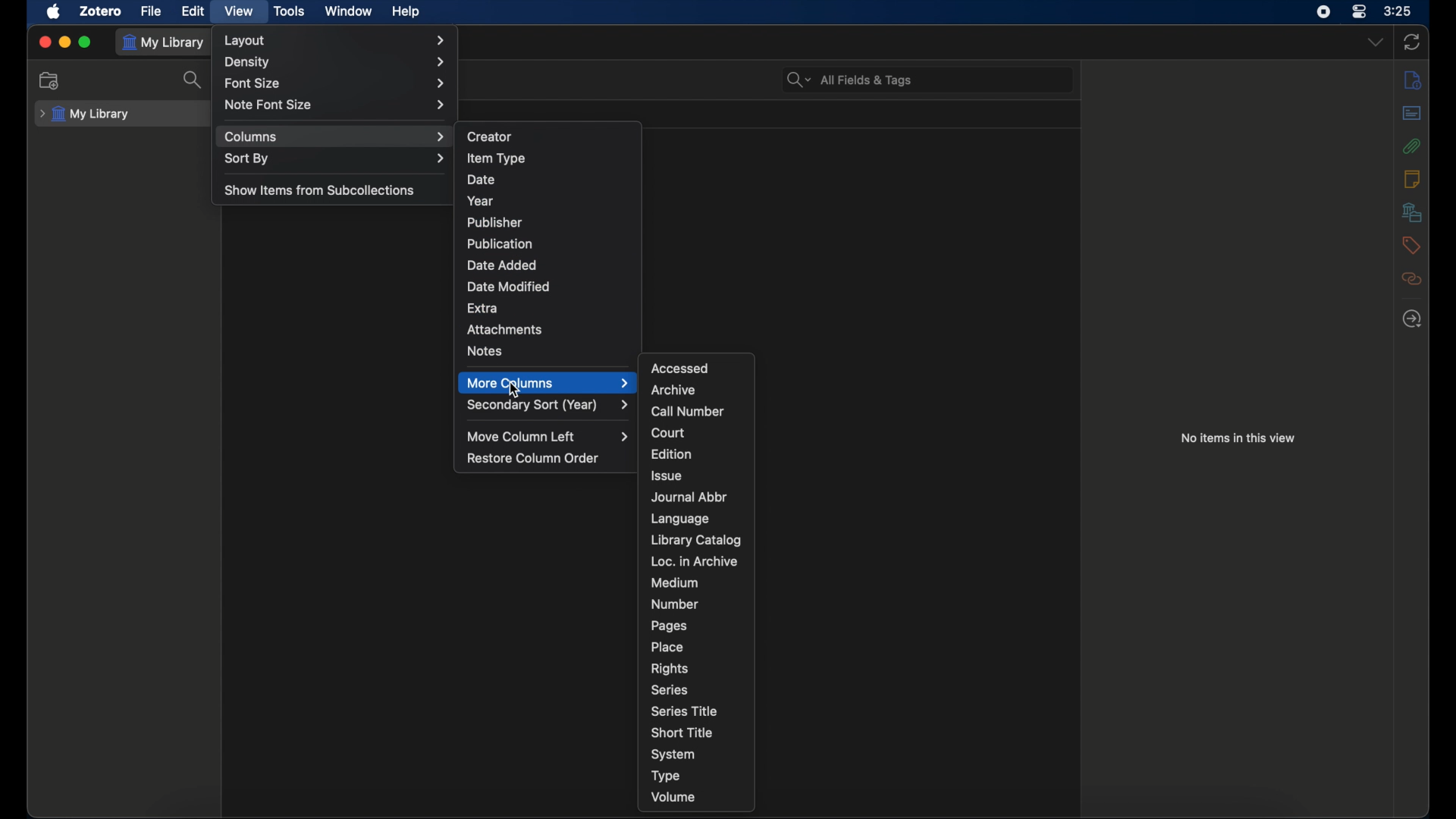  Describe the element at coordinates (497, 158) in the screenshot. I see `item type` at that location.